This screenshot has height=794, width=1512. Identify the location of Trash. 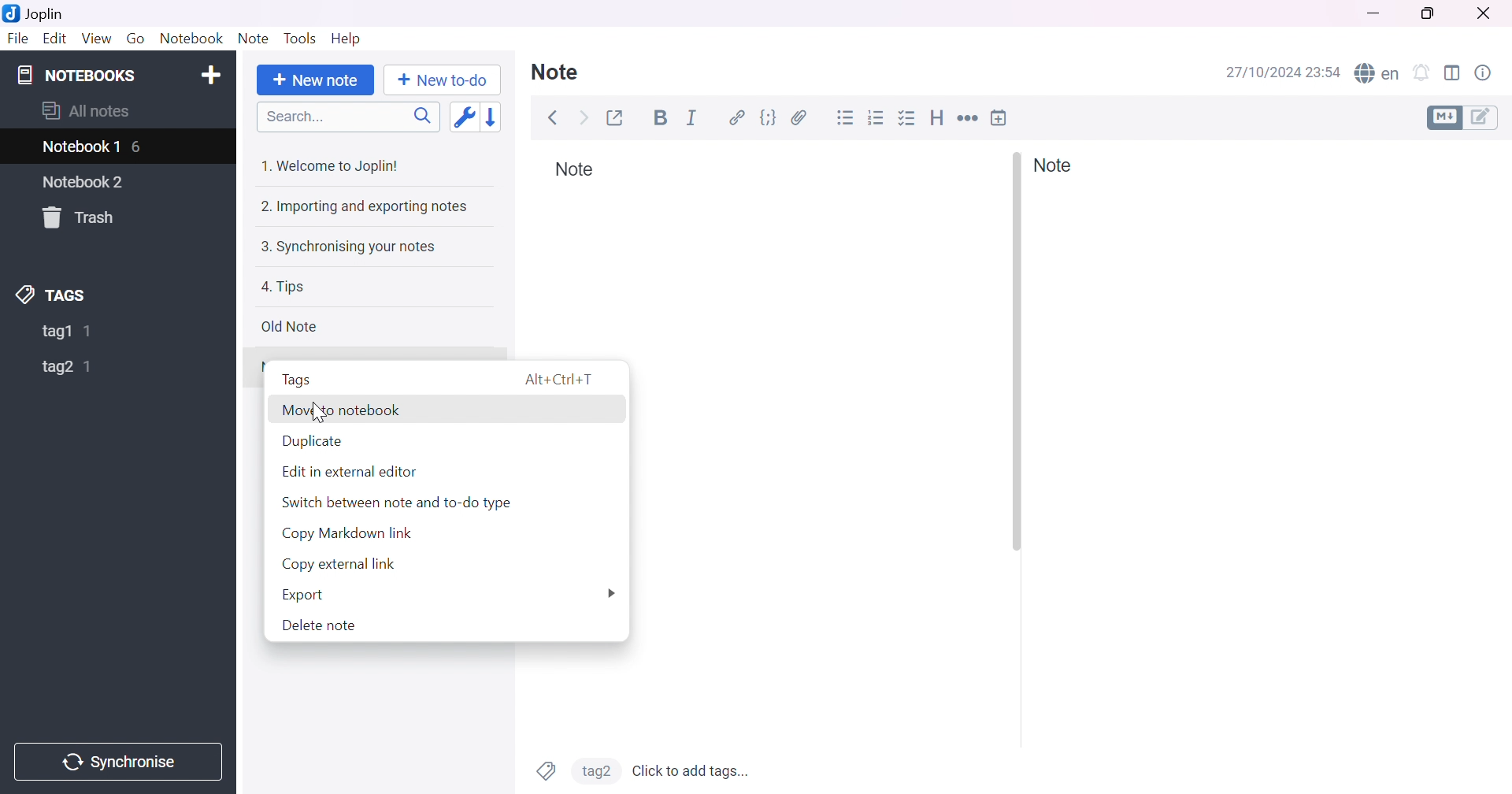
(83, 217).